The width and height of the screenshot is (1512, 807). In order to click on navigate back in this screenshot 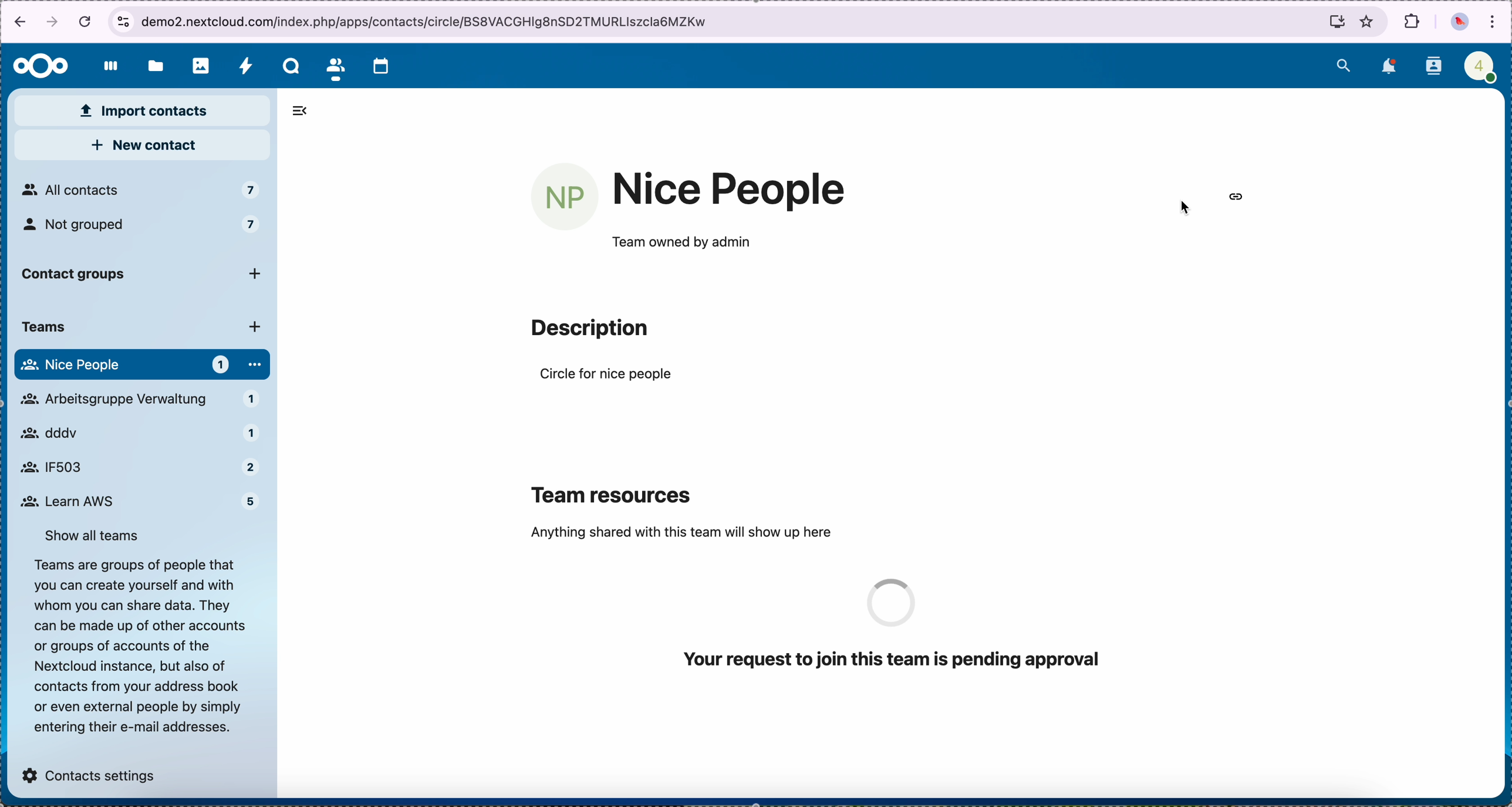, I will do `click(17, 22)`.